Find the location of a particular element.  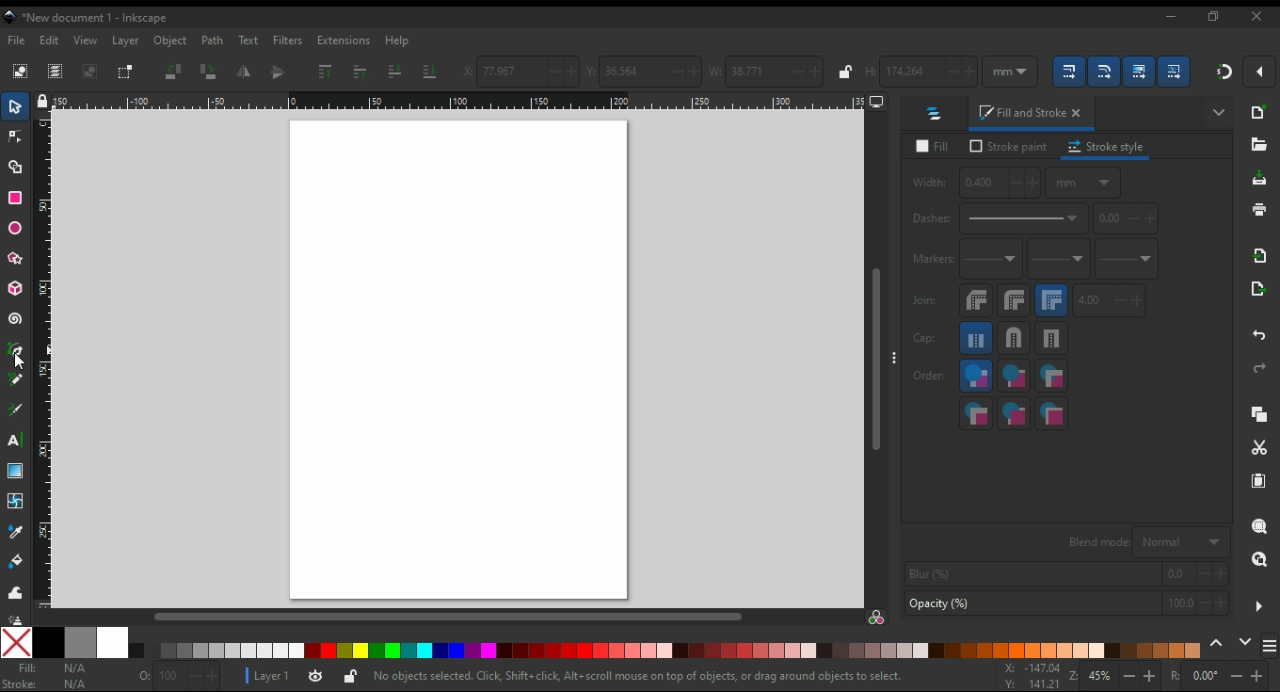

shortcuts and notifications is located at coordinates (648, 676).